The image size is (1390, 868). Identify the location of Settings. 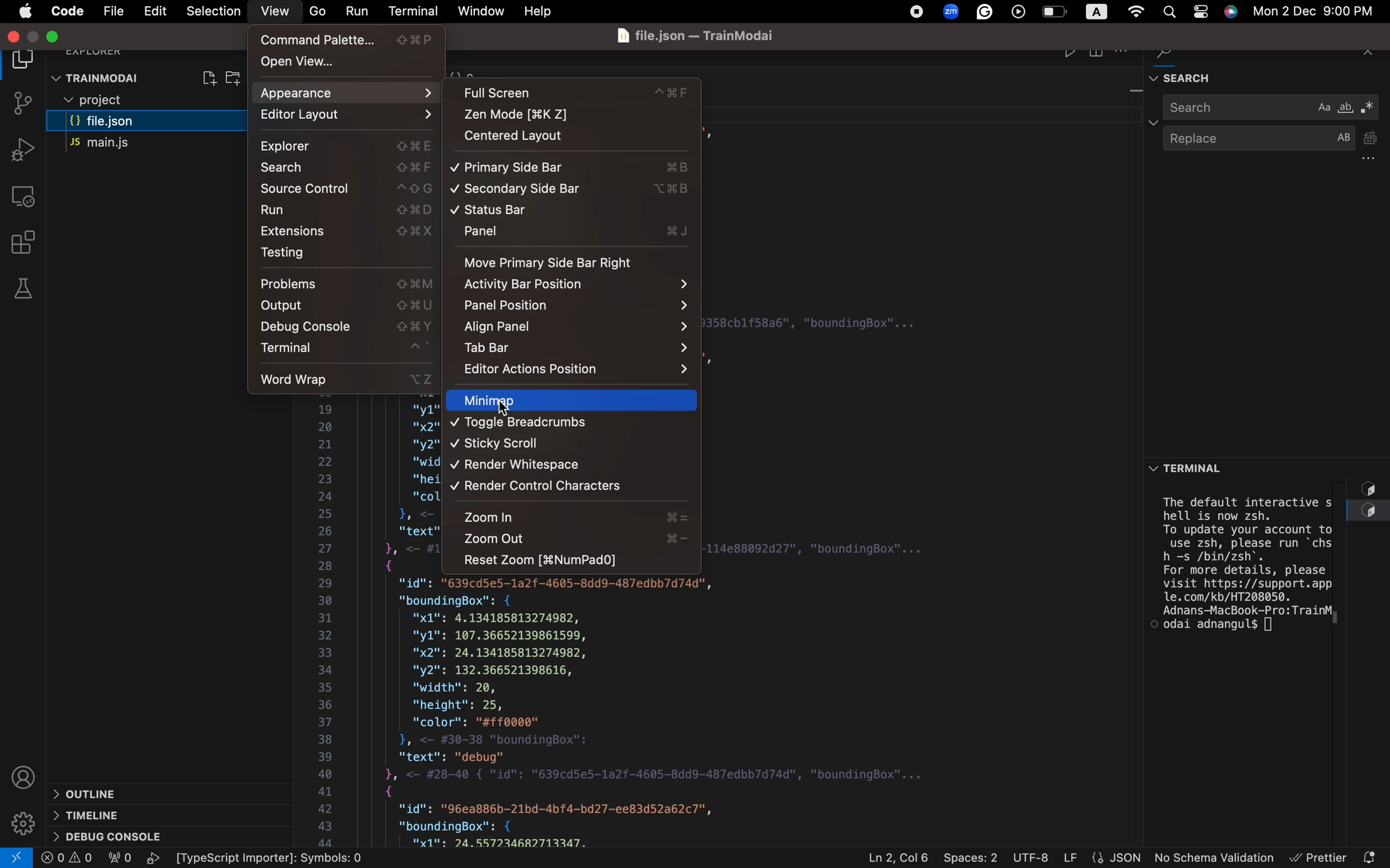
(22, 824).